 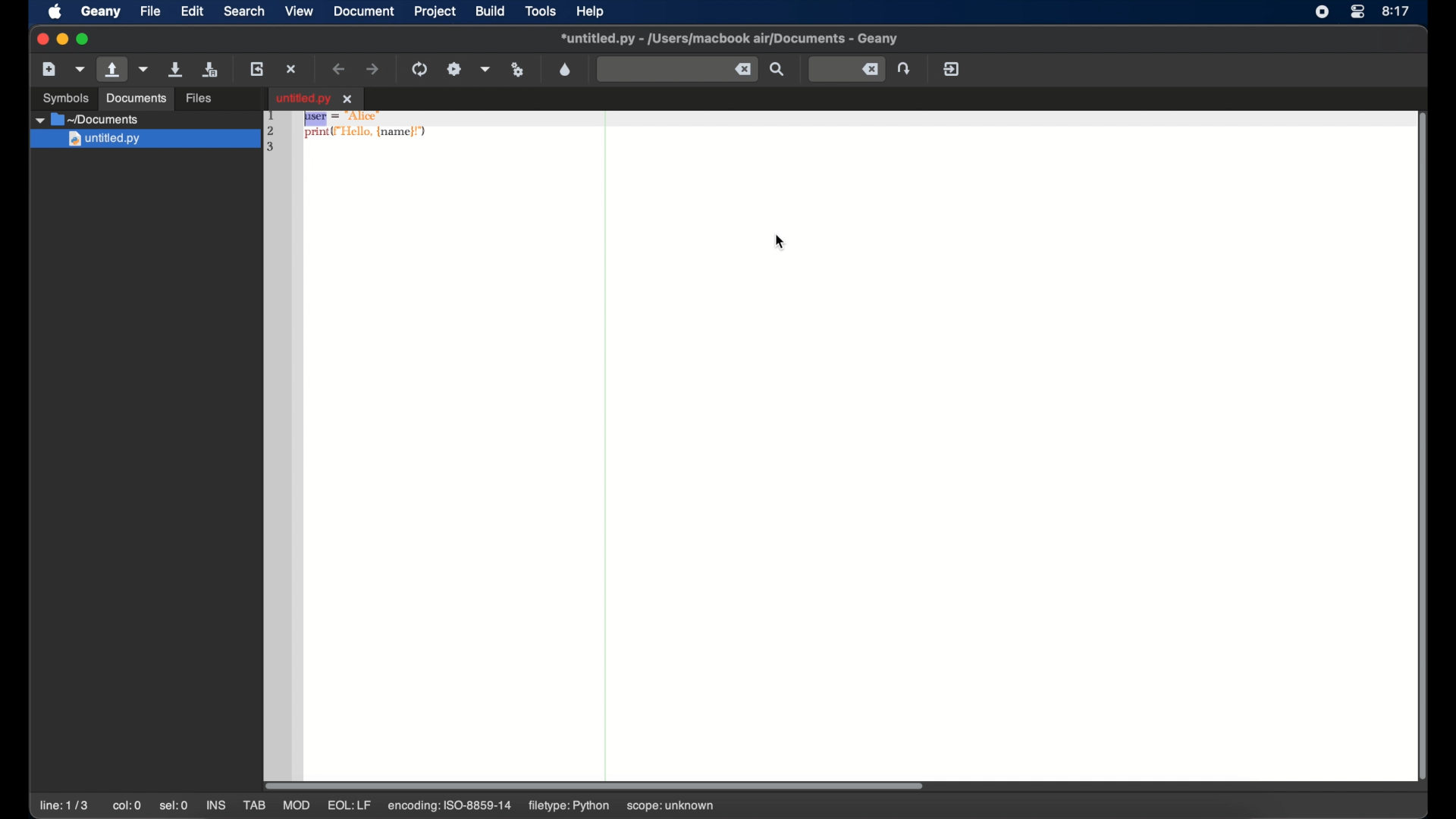 I want to click on save all open files, so click(x=210, y=69).